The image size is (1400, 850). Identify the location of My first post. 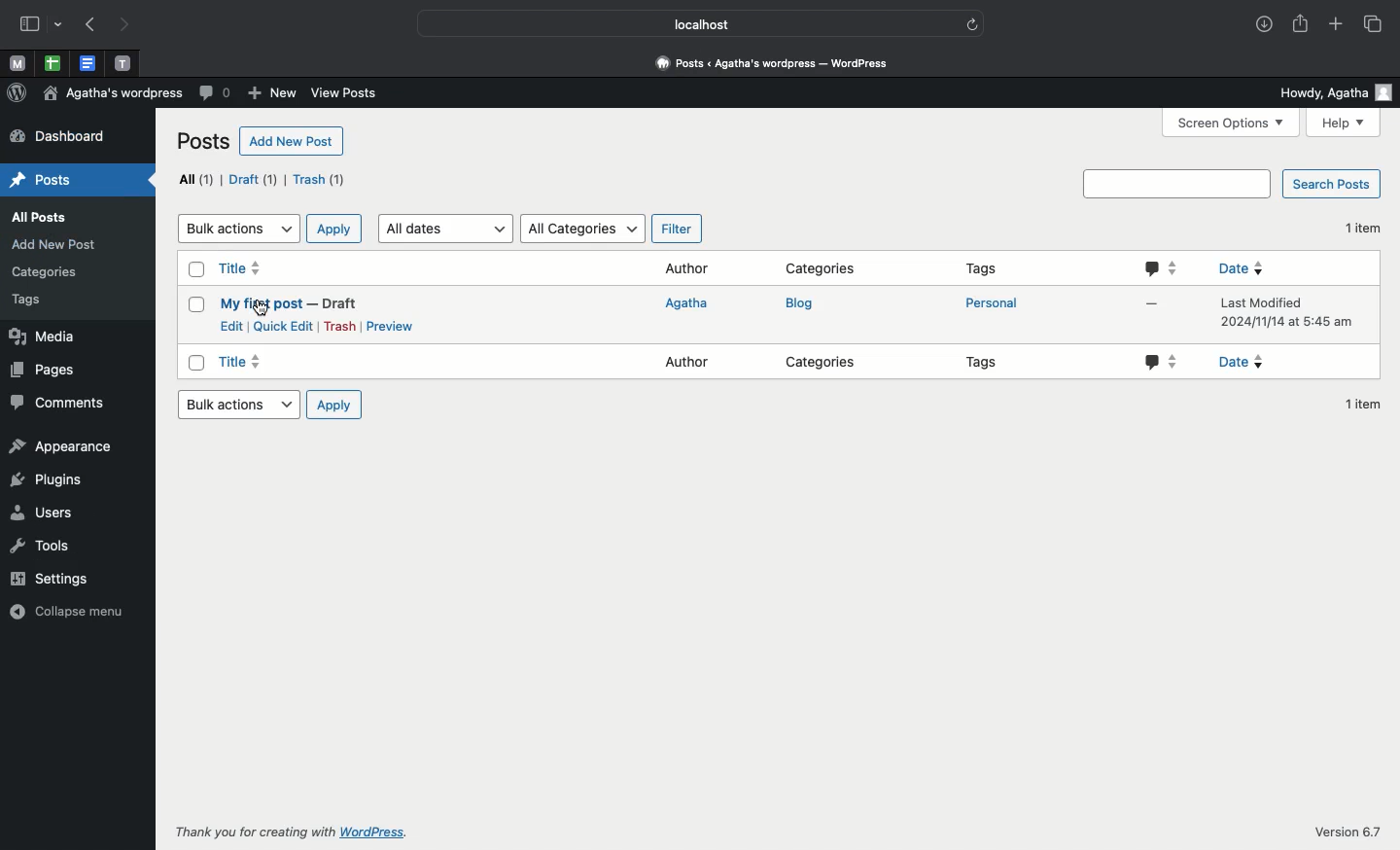
(293, 303).